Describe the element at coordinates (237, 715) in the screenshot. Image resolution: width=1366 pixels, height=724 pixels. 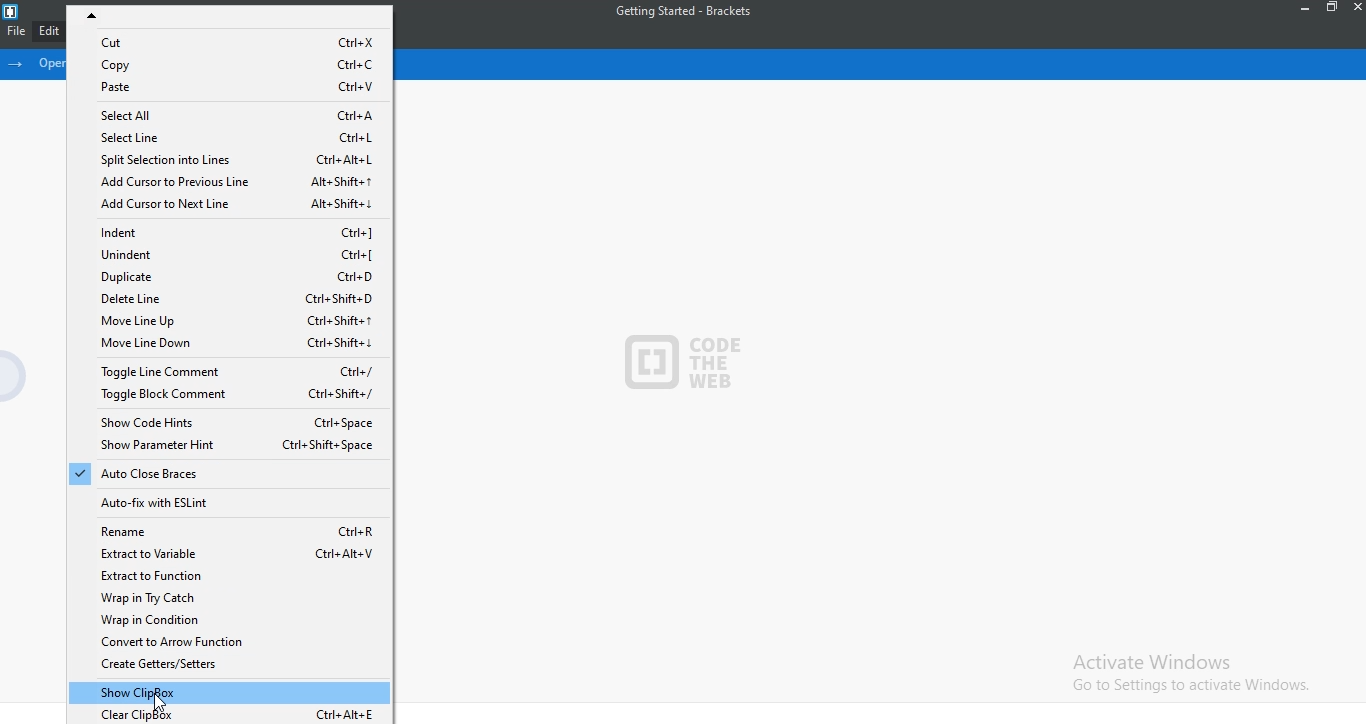
I see `Clear ClipBox` at that location.